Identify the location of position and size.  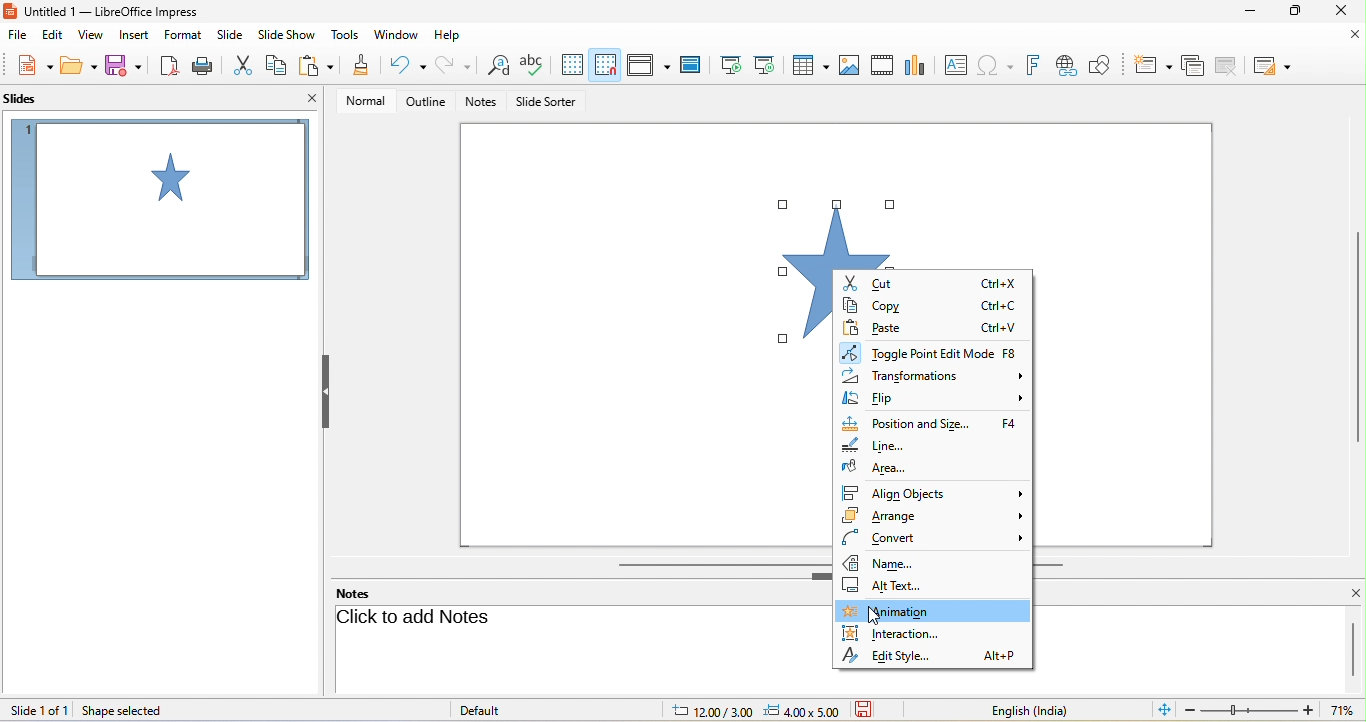
(934, 424).